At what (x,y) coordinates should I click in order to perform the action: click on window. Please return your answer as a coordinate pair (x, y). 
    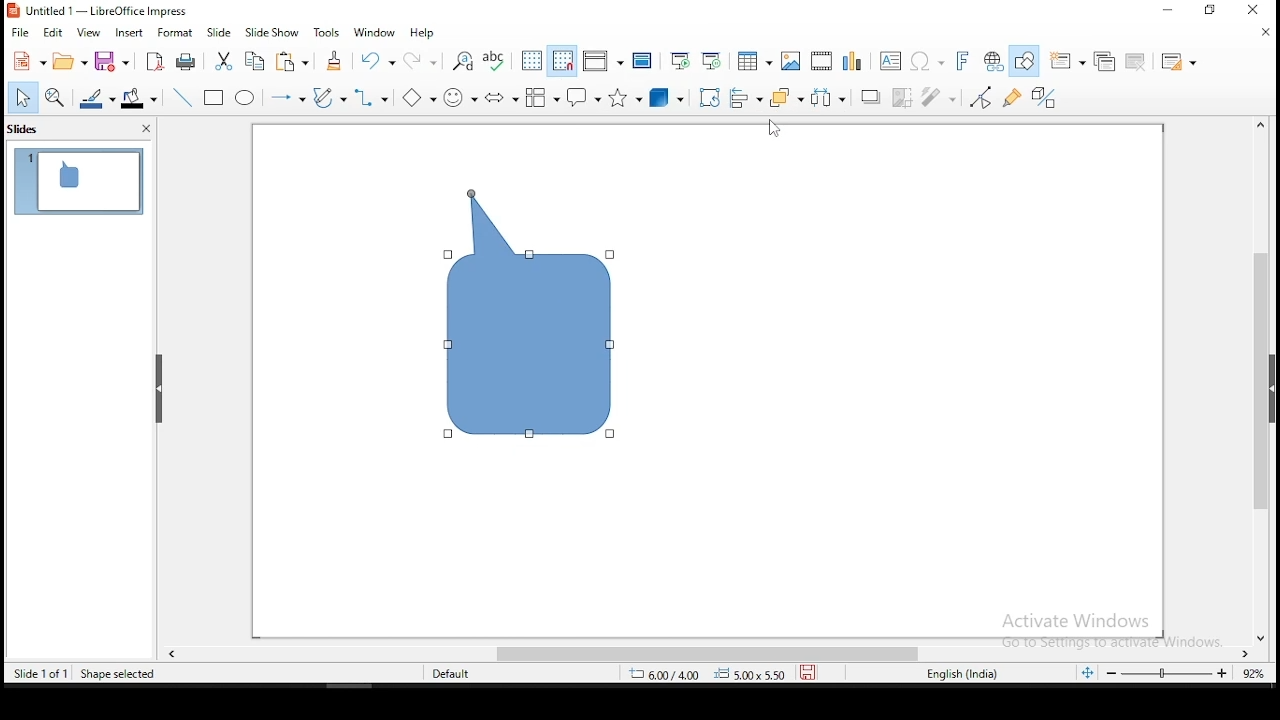
    Looking at the image, I should click on (374, 34).